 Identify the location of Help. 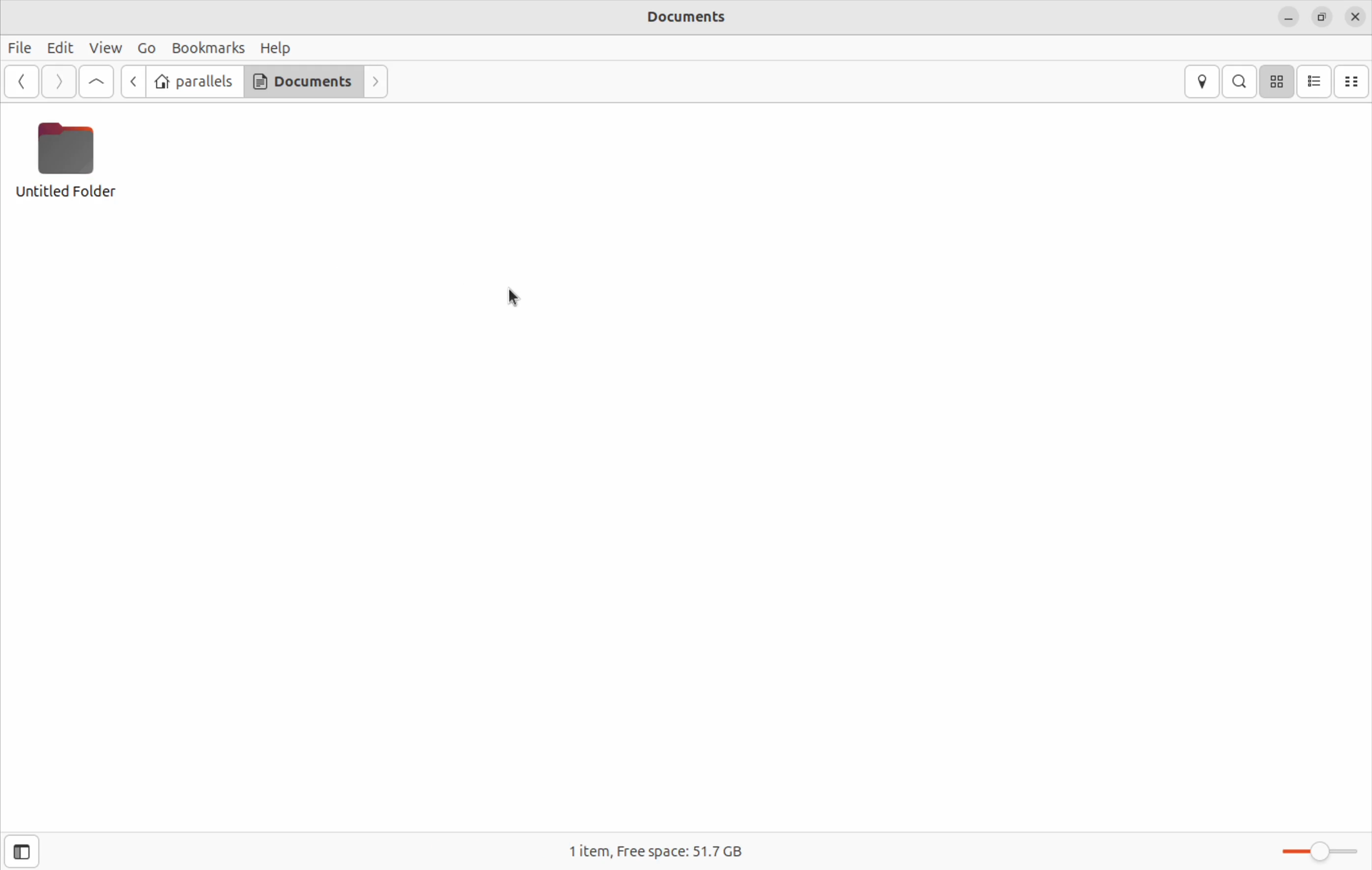
(277, 49).